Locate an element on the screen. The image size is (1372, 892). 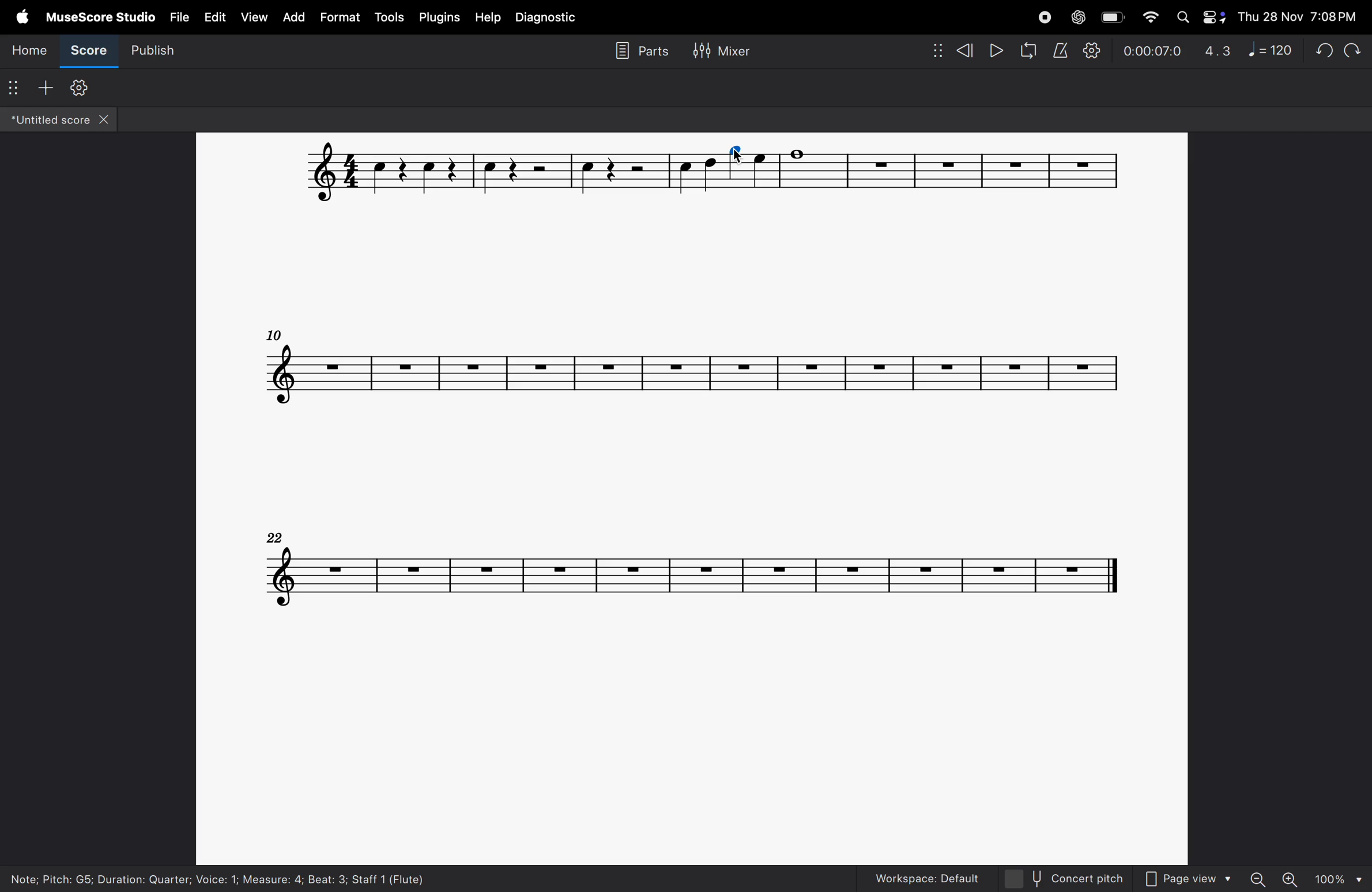
tools is located at coordinates (390, 19).